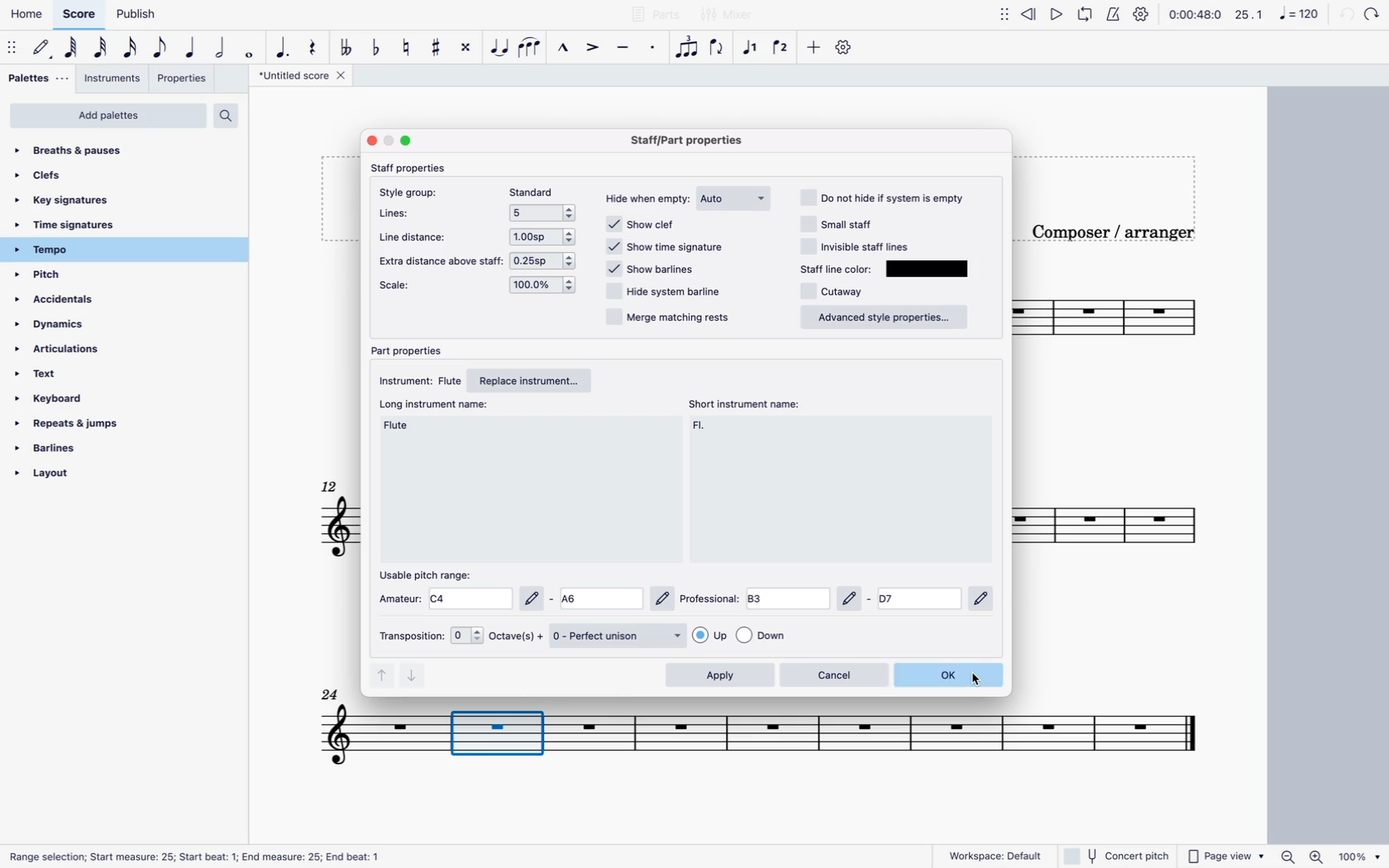 The width and height of the screenshot is (1389, 868). Describe the element at coordinates (430, 636) in the screenshot. I see `transposition` at that location.